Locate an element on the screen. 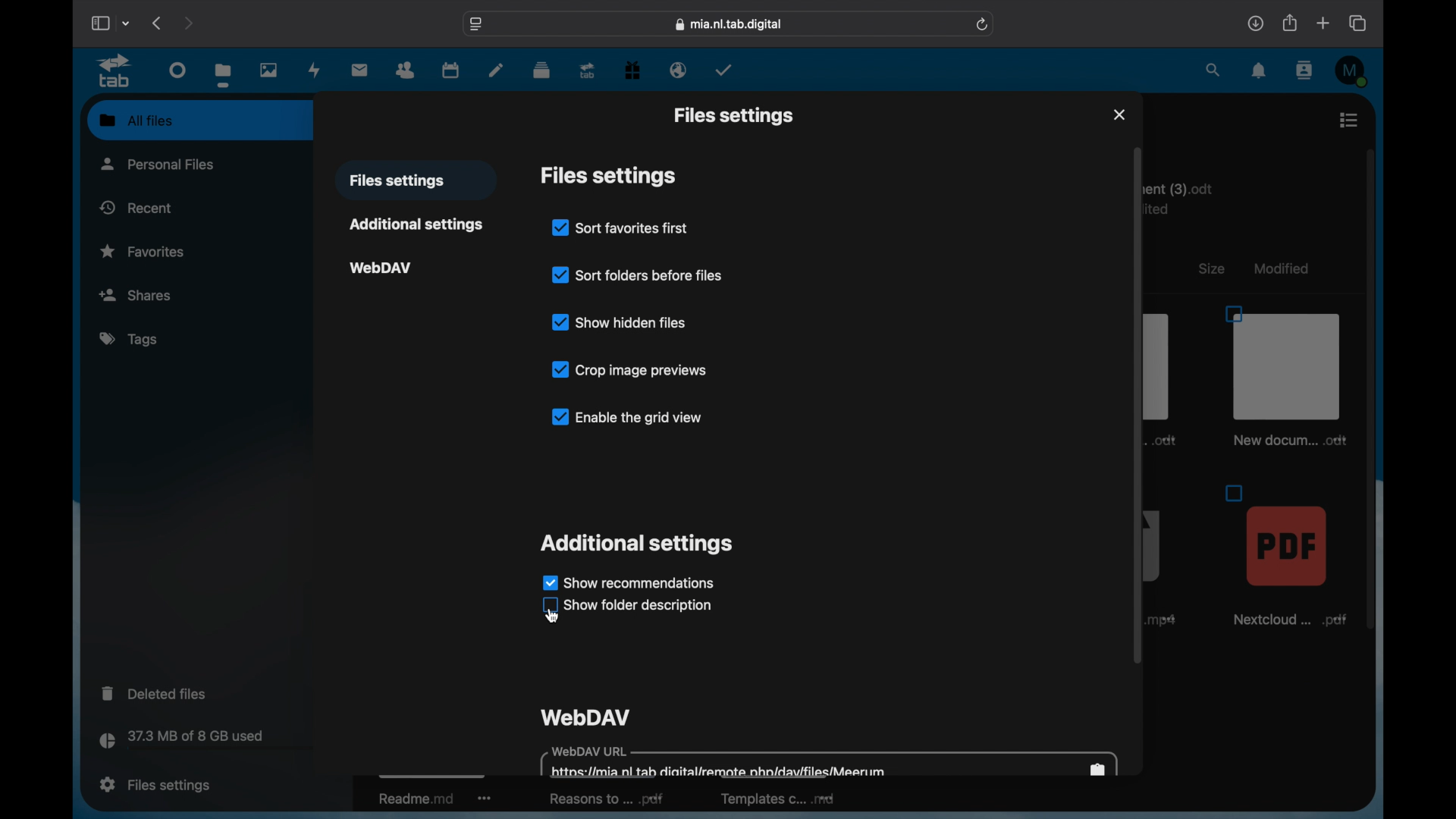  show hidden files is located at coordinates (619, 322).